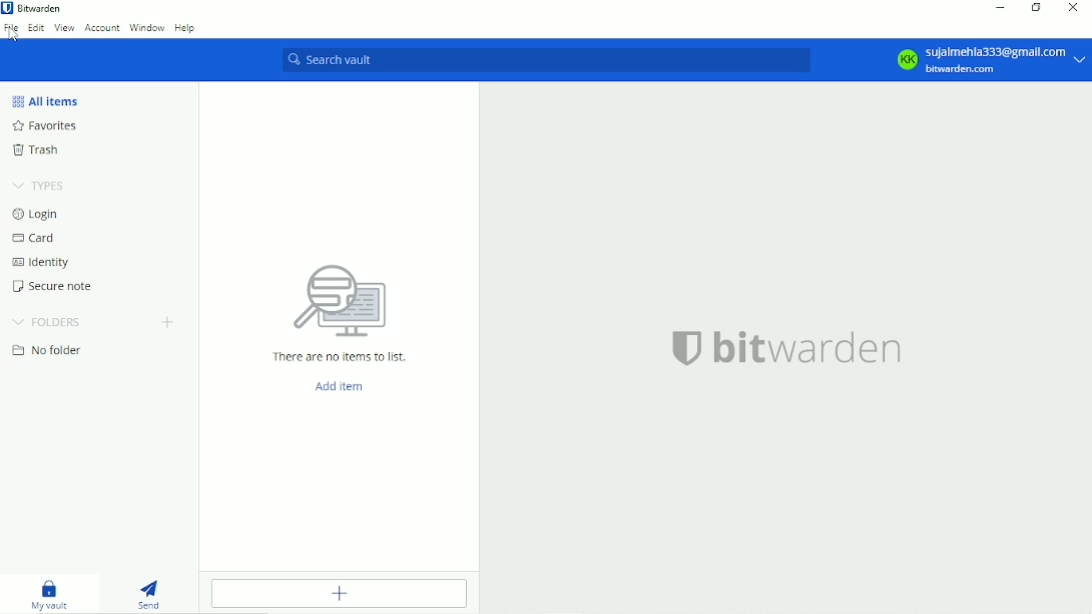  I want to click on Folders, so click(49, 319).